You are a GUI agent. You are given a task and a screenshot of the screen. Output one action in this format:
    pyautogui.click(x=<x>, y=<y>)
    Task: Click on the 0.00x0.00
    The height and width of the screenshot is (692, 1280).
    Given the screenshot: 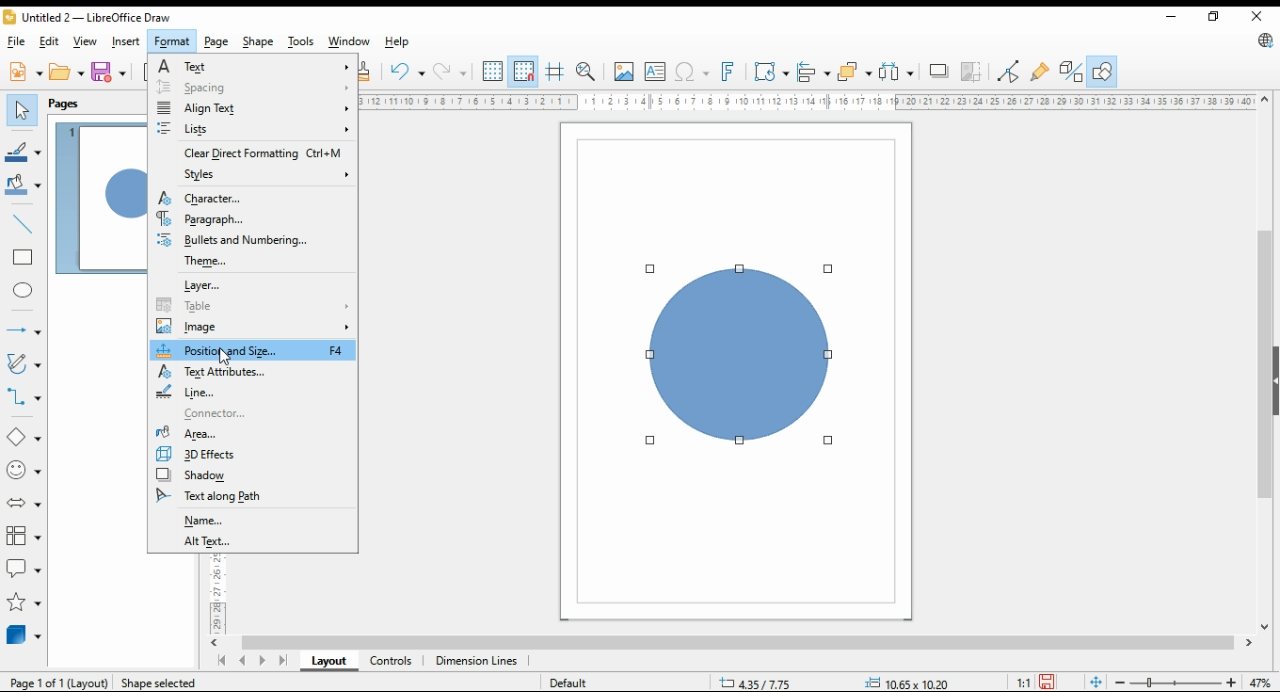 What is the action you would take?
    pyautogui.click(x=904, y=683)
    